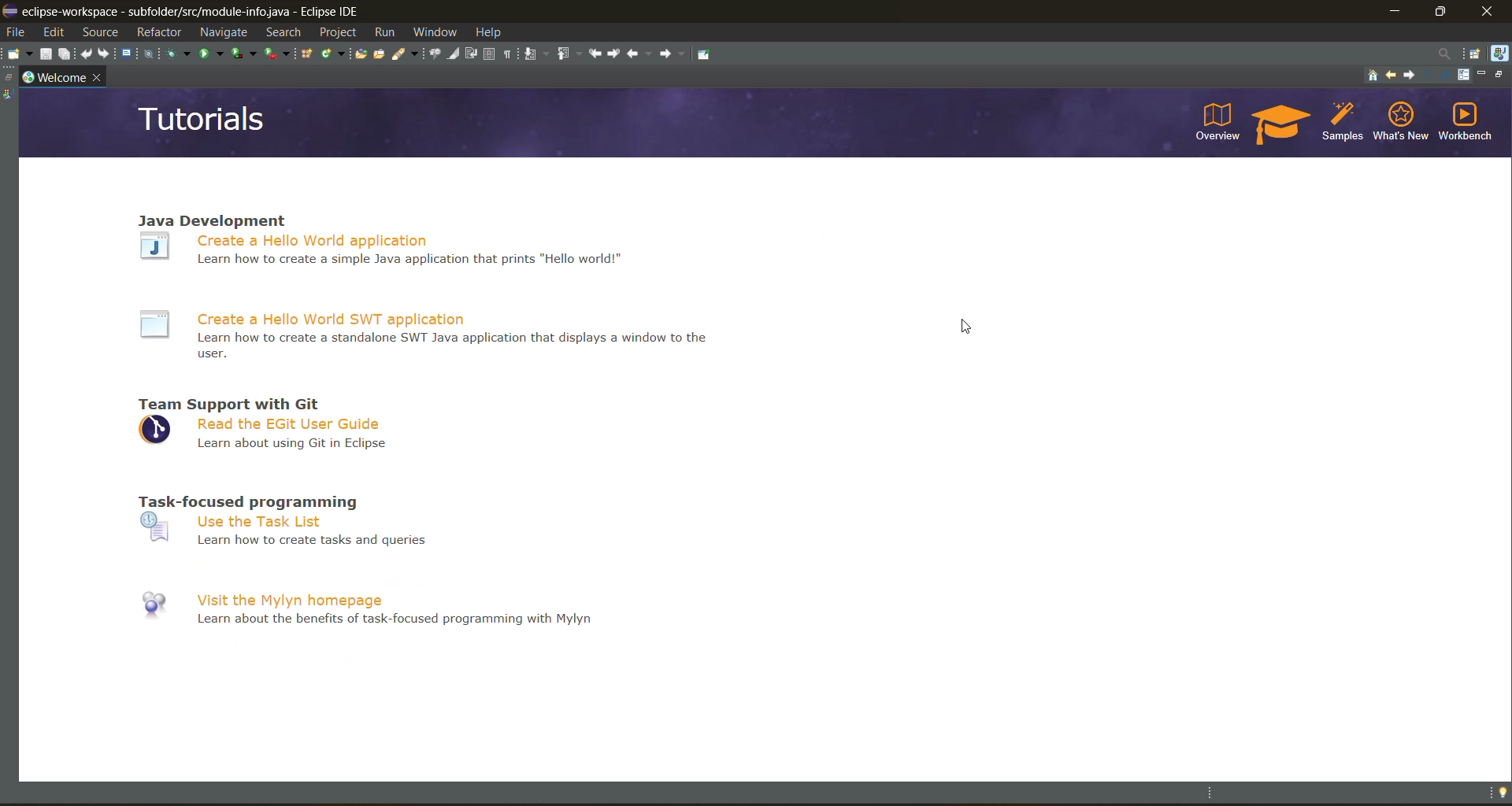  I want to click on java development, so click(215, 218).